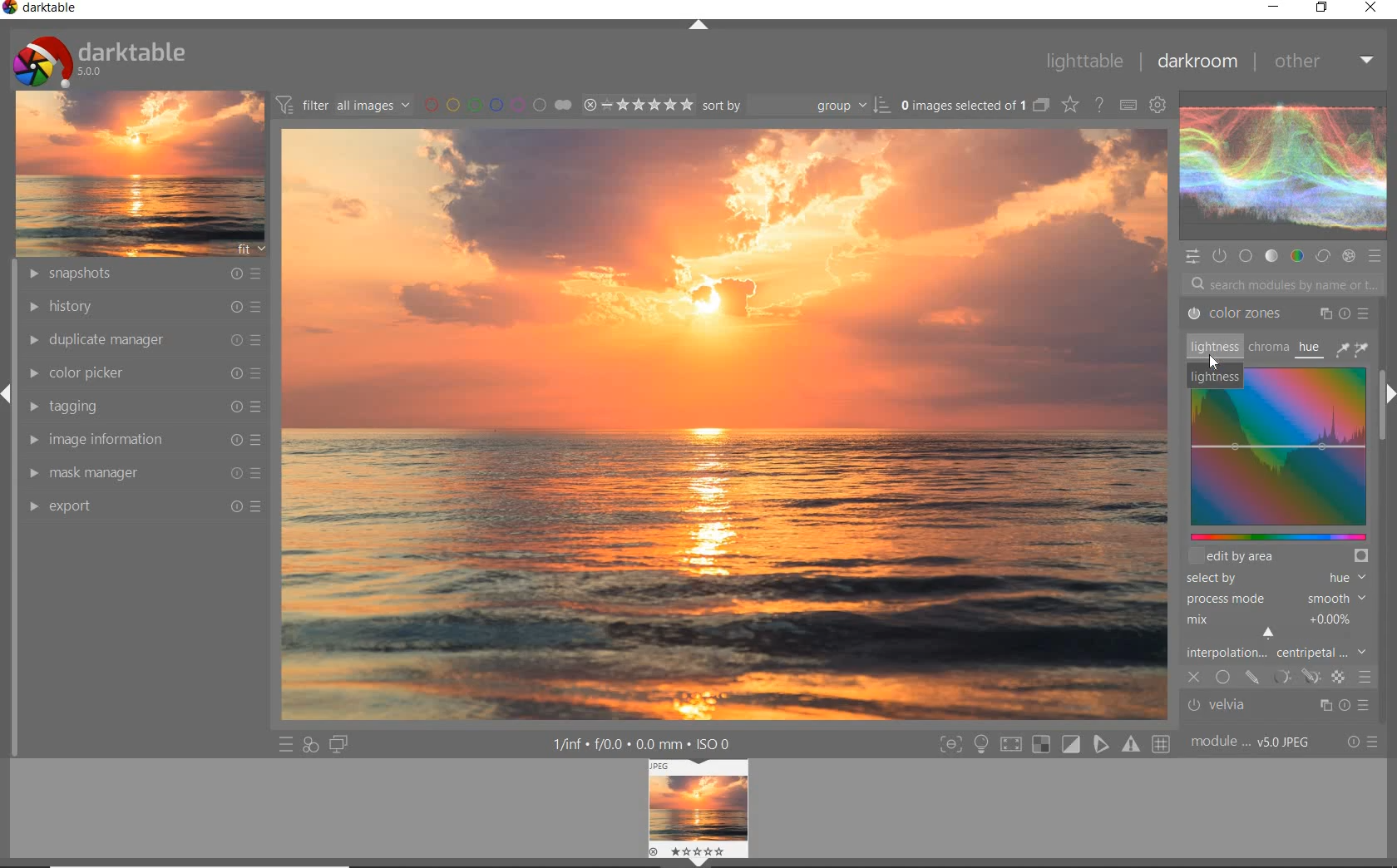 The image size is (1397, 868). I want to click on darkroom, so click(1201, 62).